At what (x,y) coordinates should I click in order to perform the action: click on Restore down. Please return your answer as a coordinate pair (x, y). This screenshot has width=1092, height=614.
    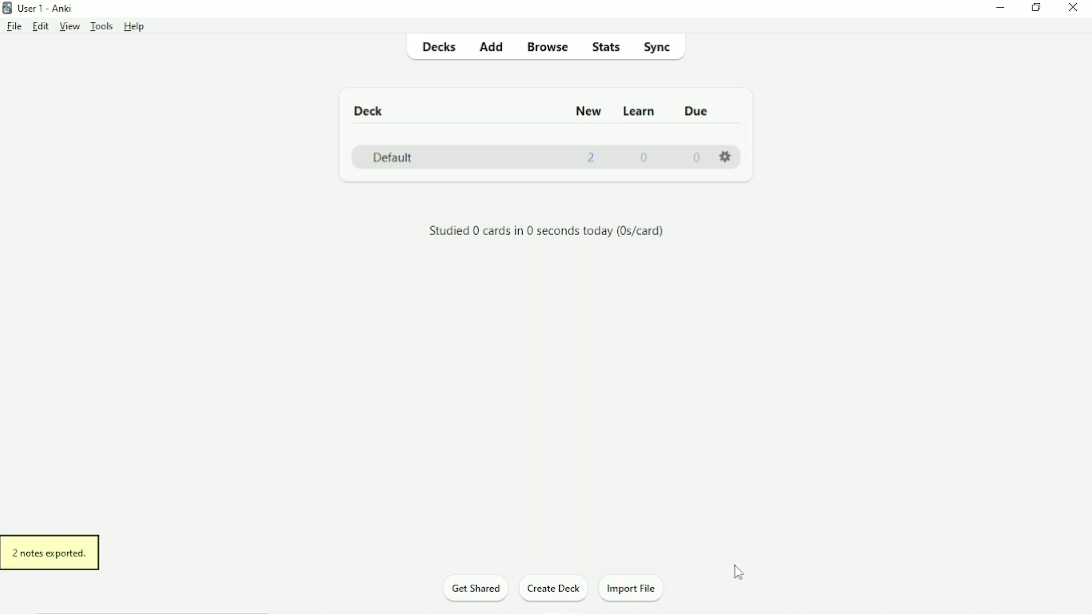
    Looking at the image, I should click on (1037, 7).